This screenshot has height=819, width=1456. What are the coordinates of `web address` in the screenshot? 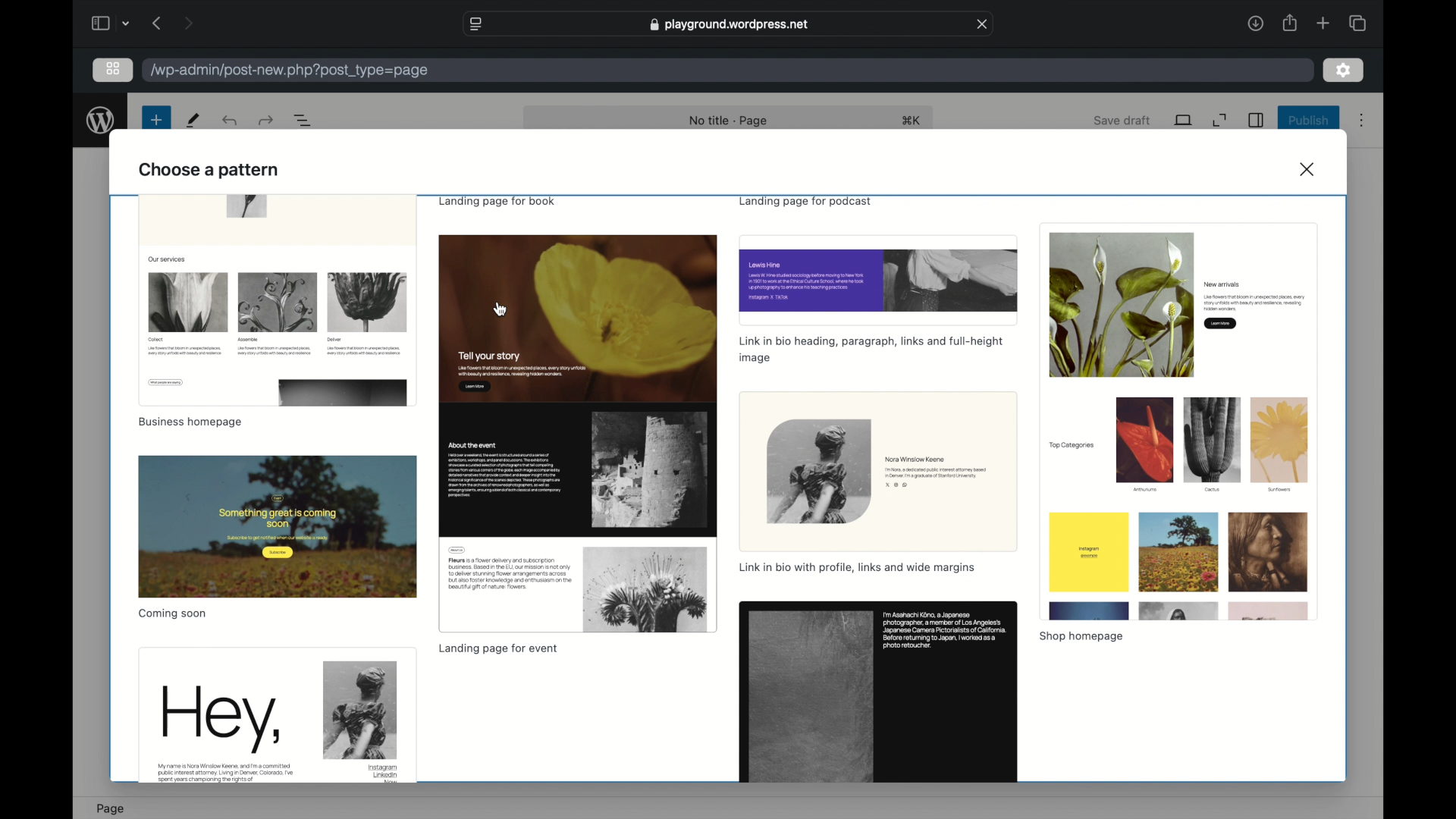 It's located at (729, 23).